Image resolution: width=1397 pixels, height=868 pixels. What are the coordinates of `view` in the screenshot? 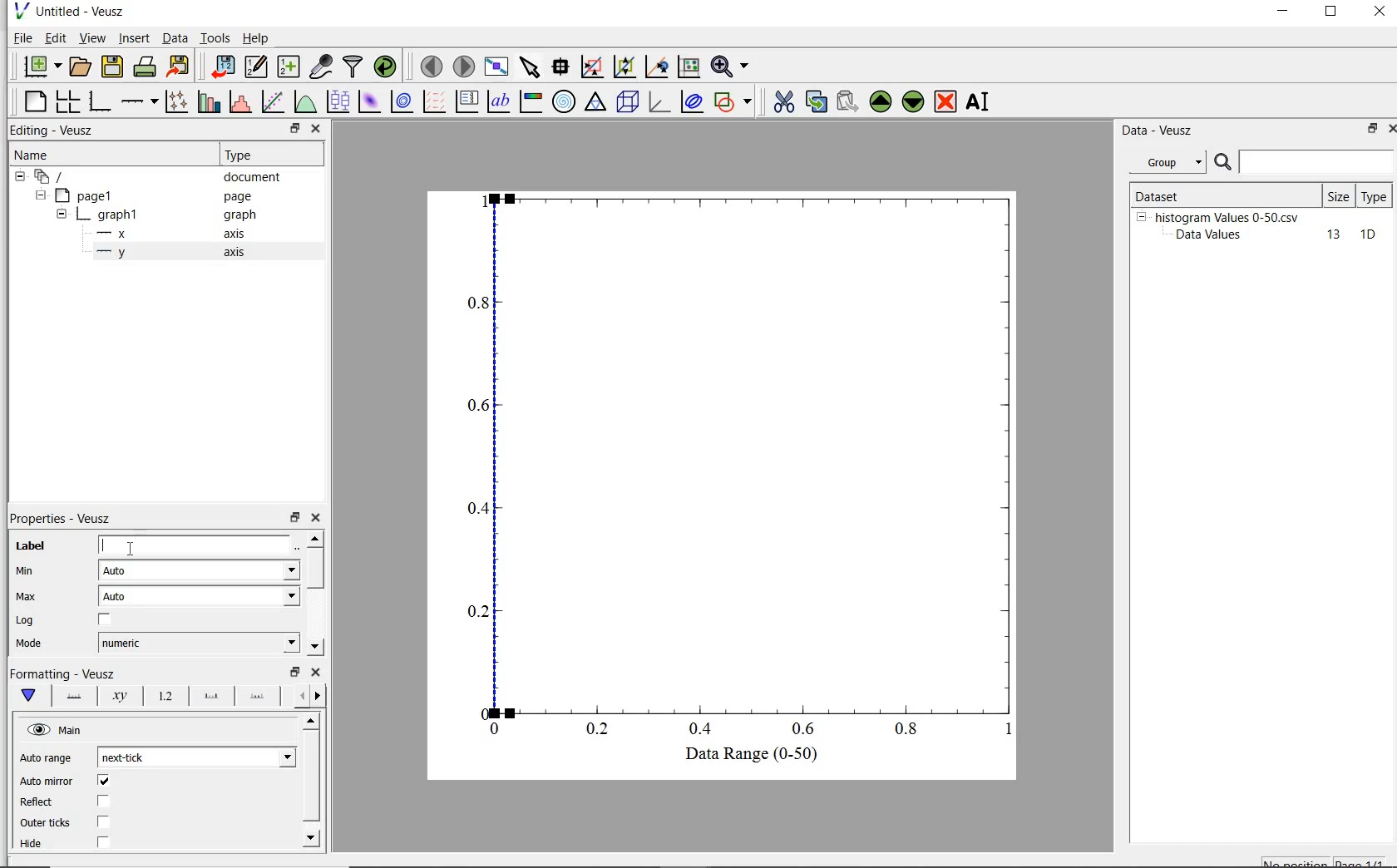 It's located at (95, 37).